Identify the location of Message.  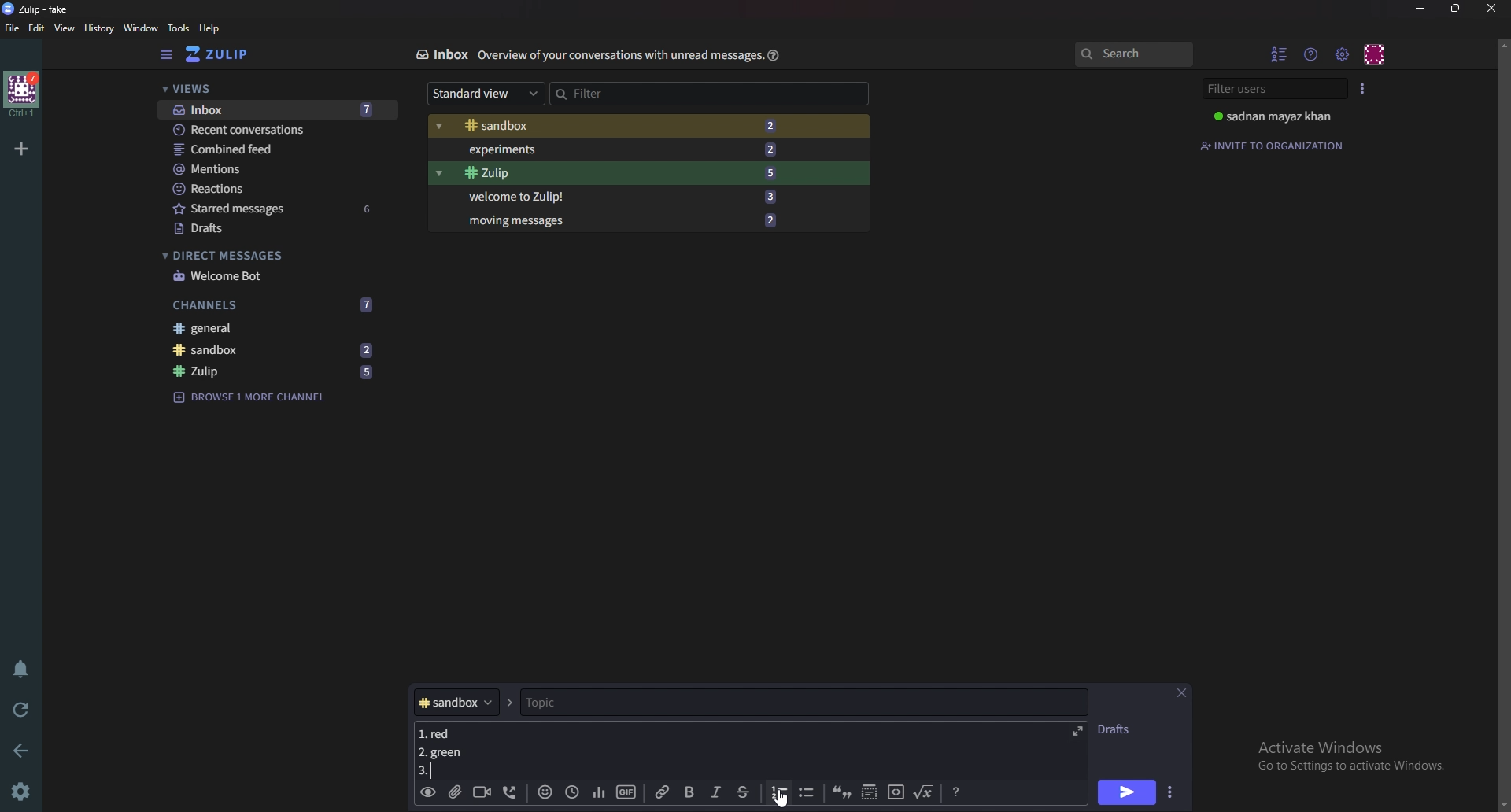
(438, 750).